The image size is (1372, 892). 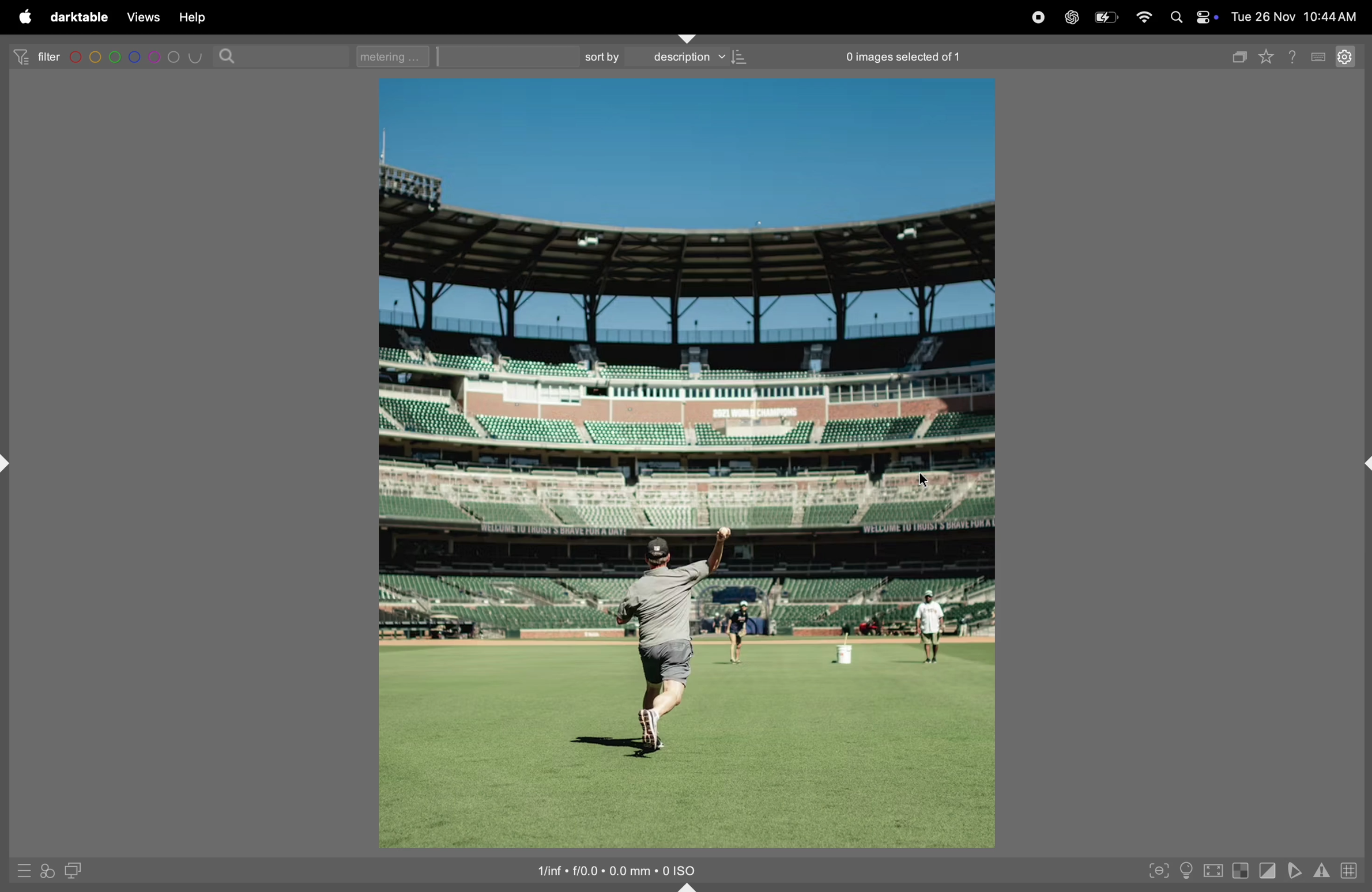 I want to click on soft proof, so click(x=101, y=821).